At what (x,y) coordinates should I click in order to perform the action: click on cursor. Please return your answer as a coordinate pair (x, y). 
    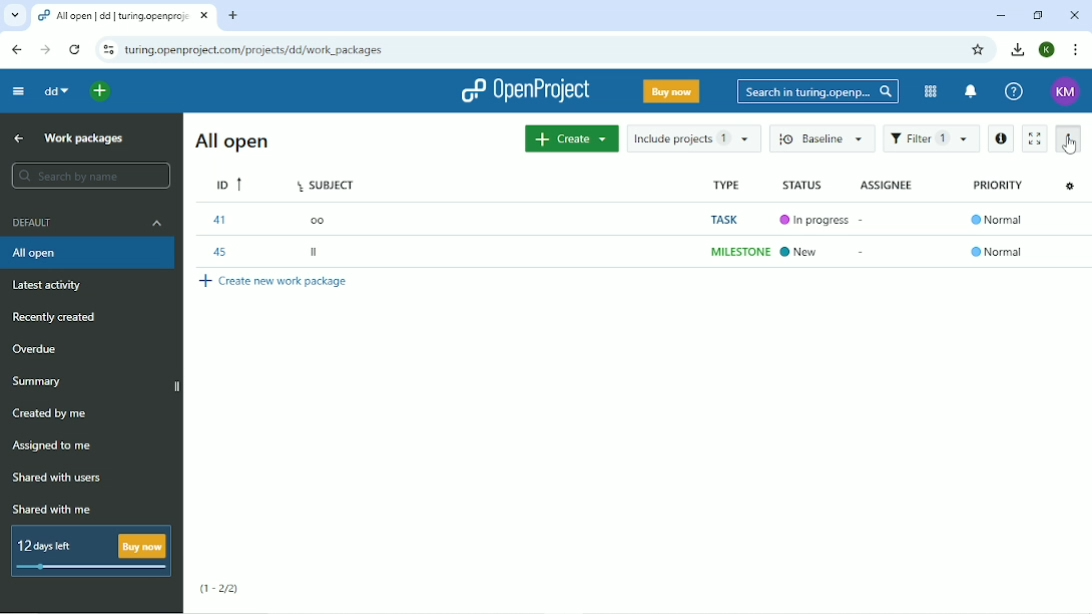
    Looking at the image, I should click on (1065, 154).